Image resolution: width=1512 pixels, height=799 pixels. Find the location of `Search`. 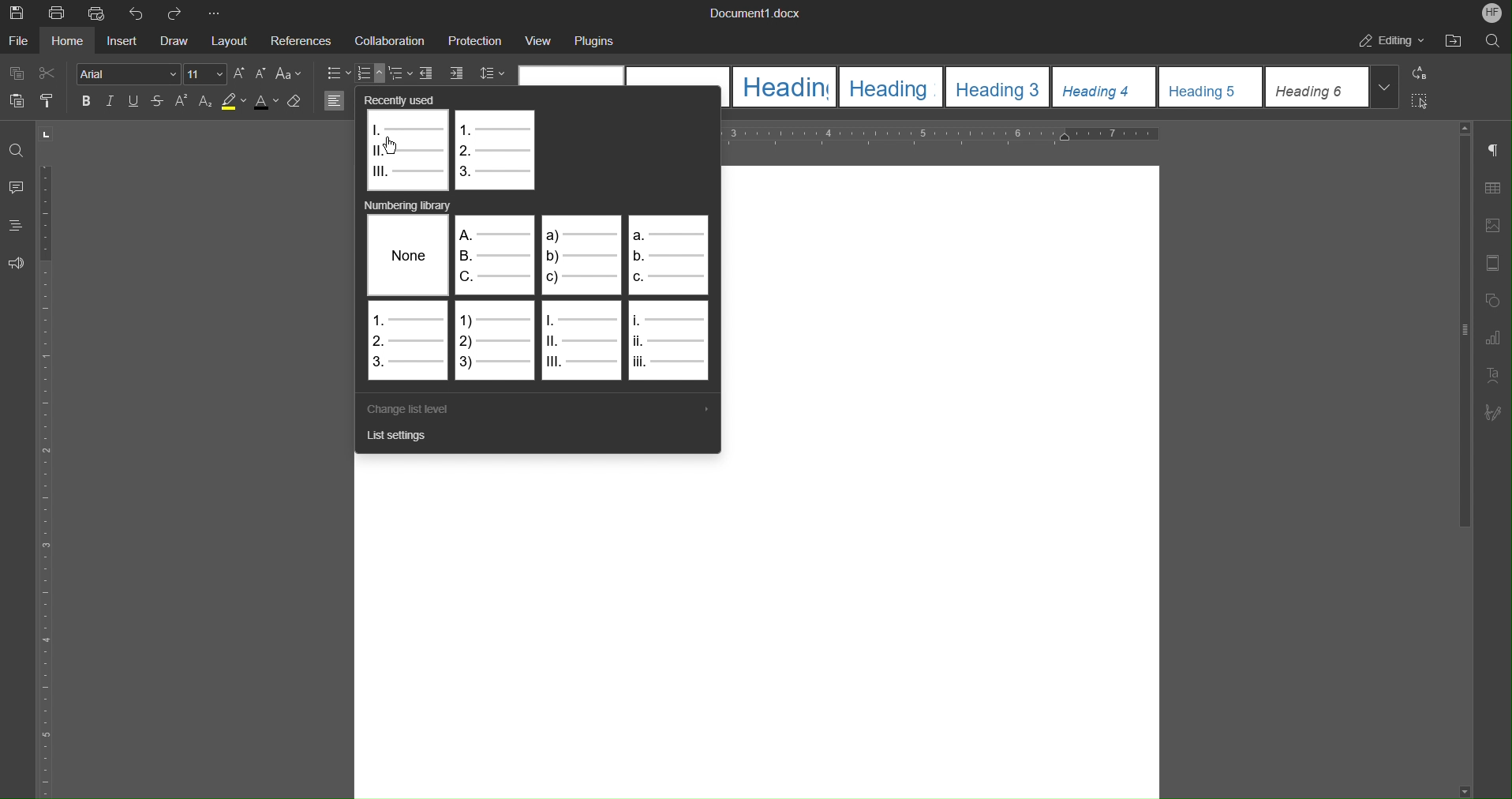

Search is located at coordinates (1494, 41).